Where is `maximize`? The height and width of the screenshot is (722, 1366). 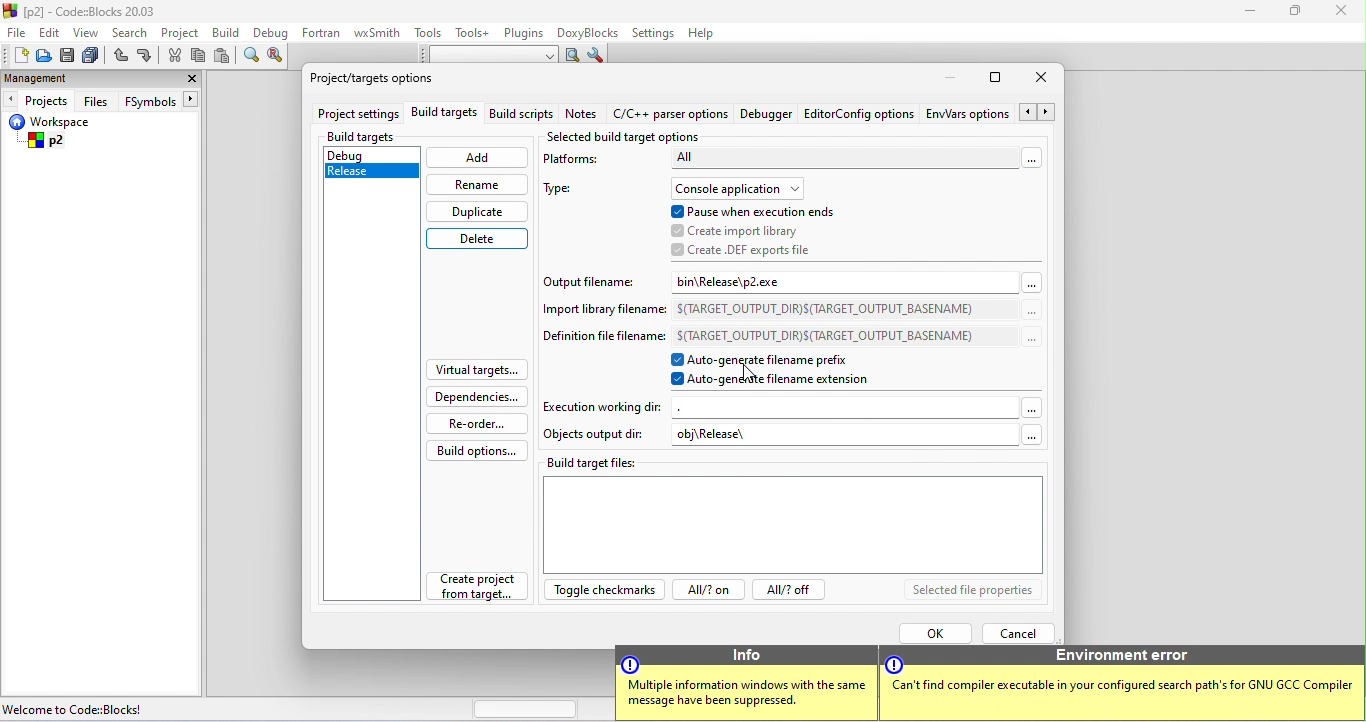 maximize is located at coordinates (1296, 15).